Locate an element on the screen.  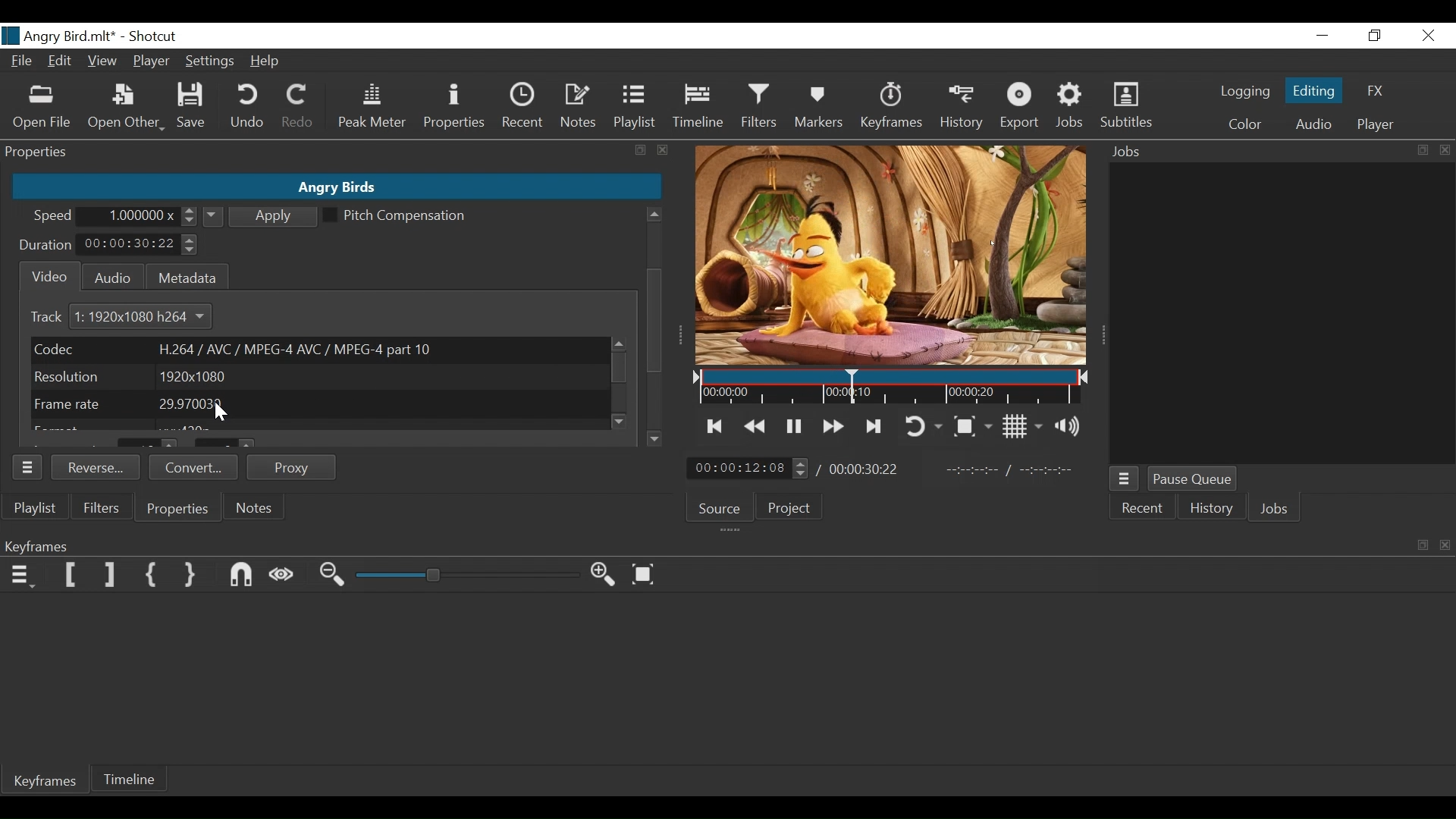
Toggle zoom is located at coordinates (974, 425).